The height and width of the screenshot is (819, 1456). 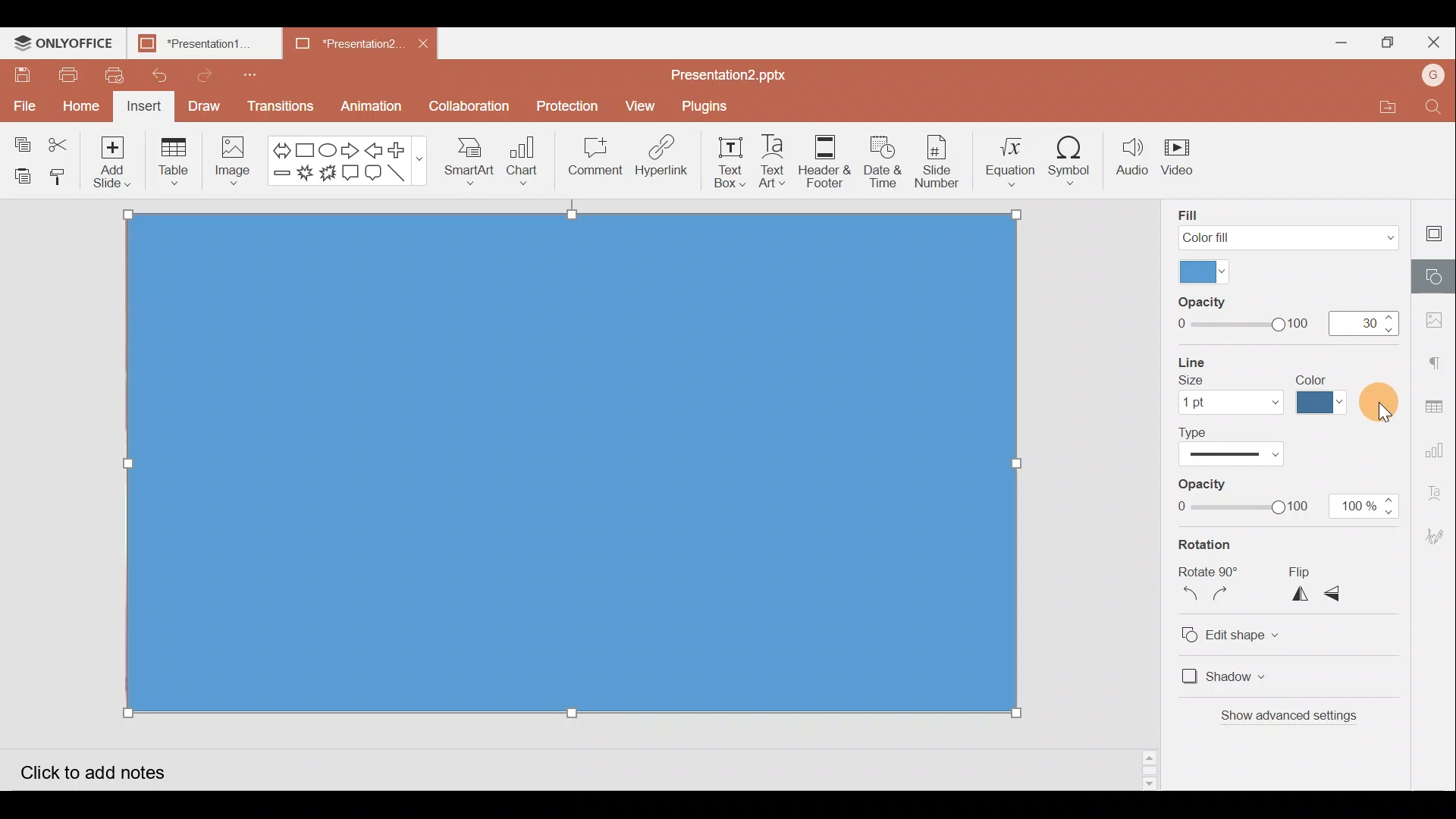 What do you see at coordinates (1438, 398) in the screenshot?
I see `Table settings` at bounding box center [1438, 398].